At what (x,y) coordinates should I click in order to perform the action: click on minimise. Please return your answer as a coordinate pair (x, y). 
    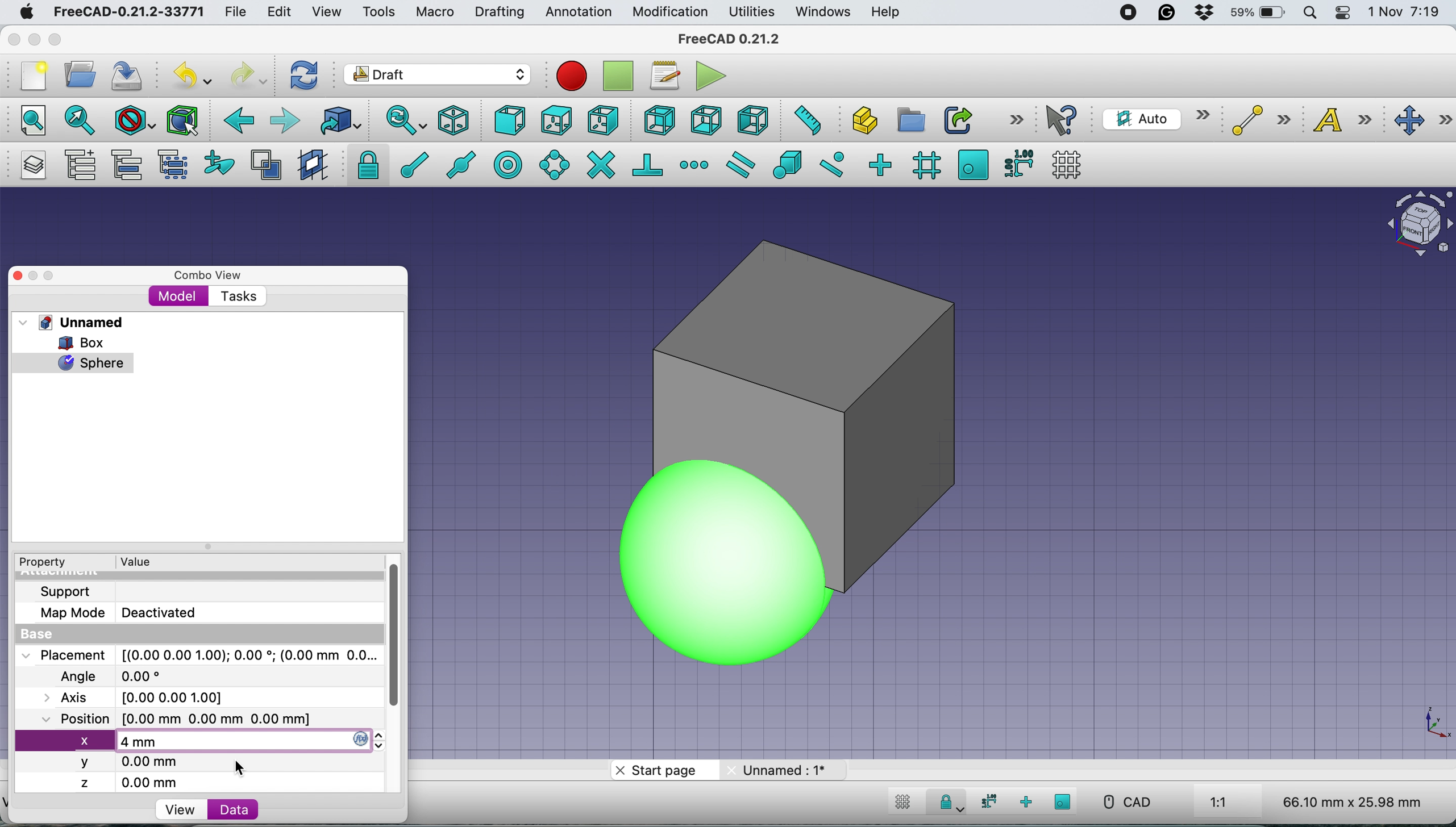
    Looking at the image, I should click on (33, 39).